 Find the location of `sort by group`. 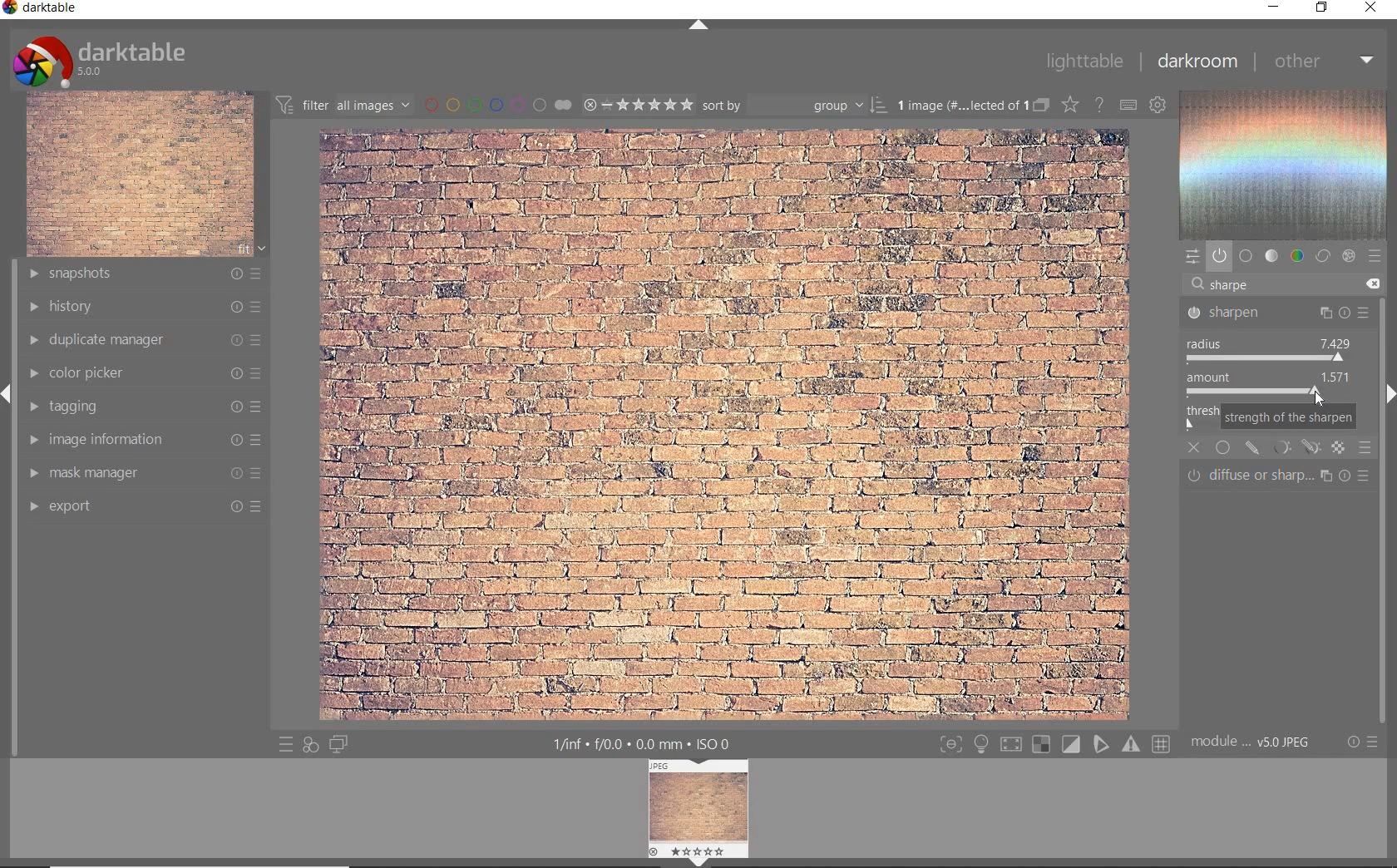

sort by group is located at coordinates (794, 106).